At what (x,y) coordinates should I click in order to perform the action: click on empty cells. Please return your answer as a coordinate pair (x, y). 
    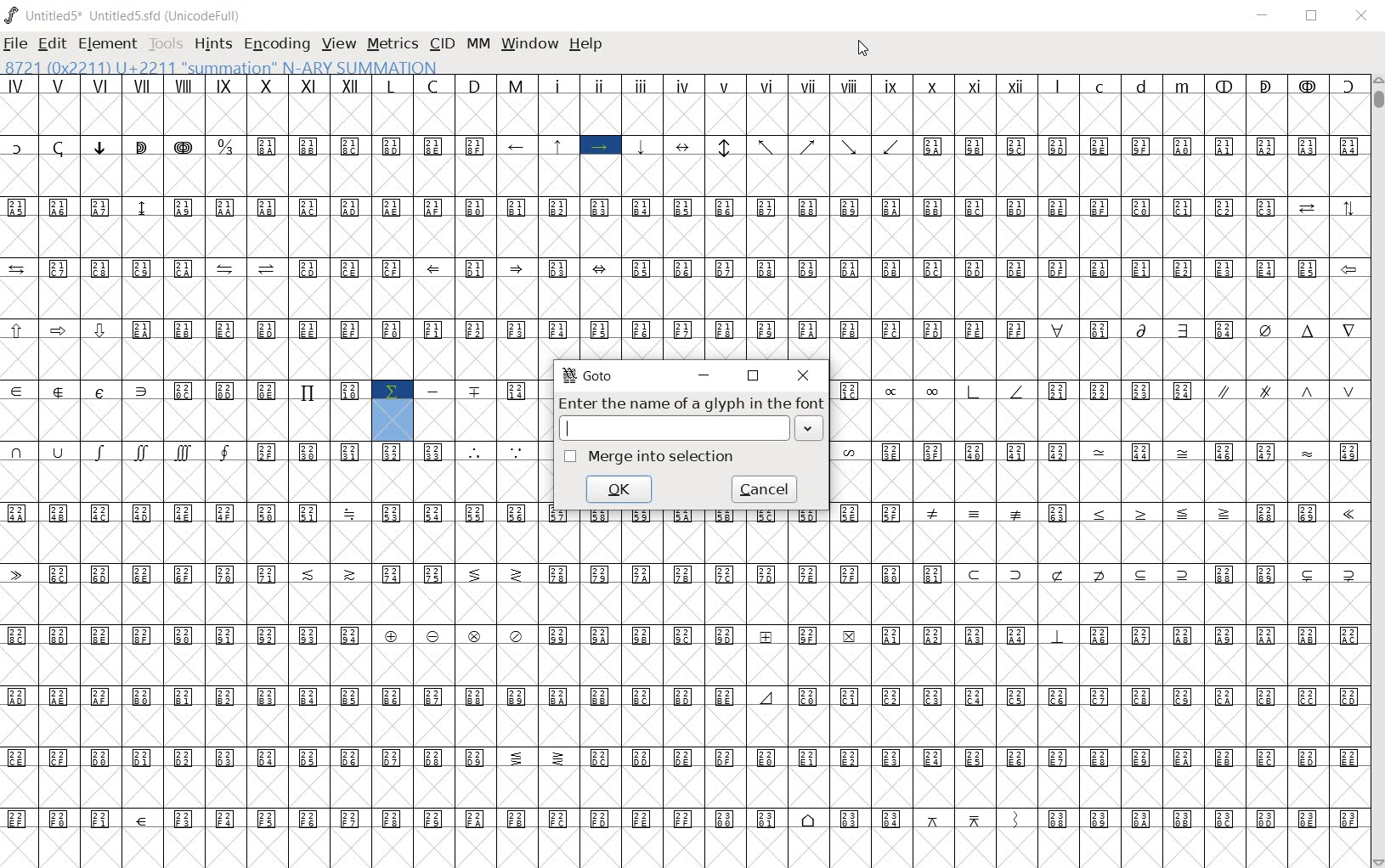
    Looking at the image, I should click on (686, 724).